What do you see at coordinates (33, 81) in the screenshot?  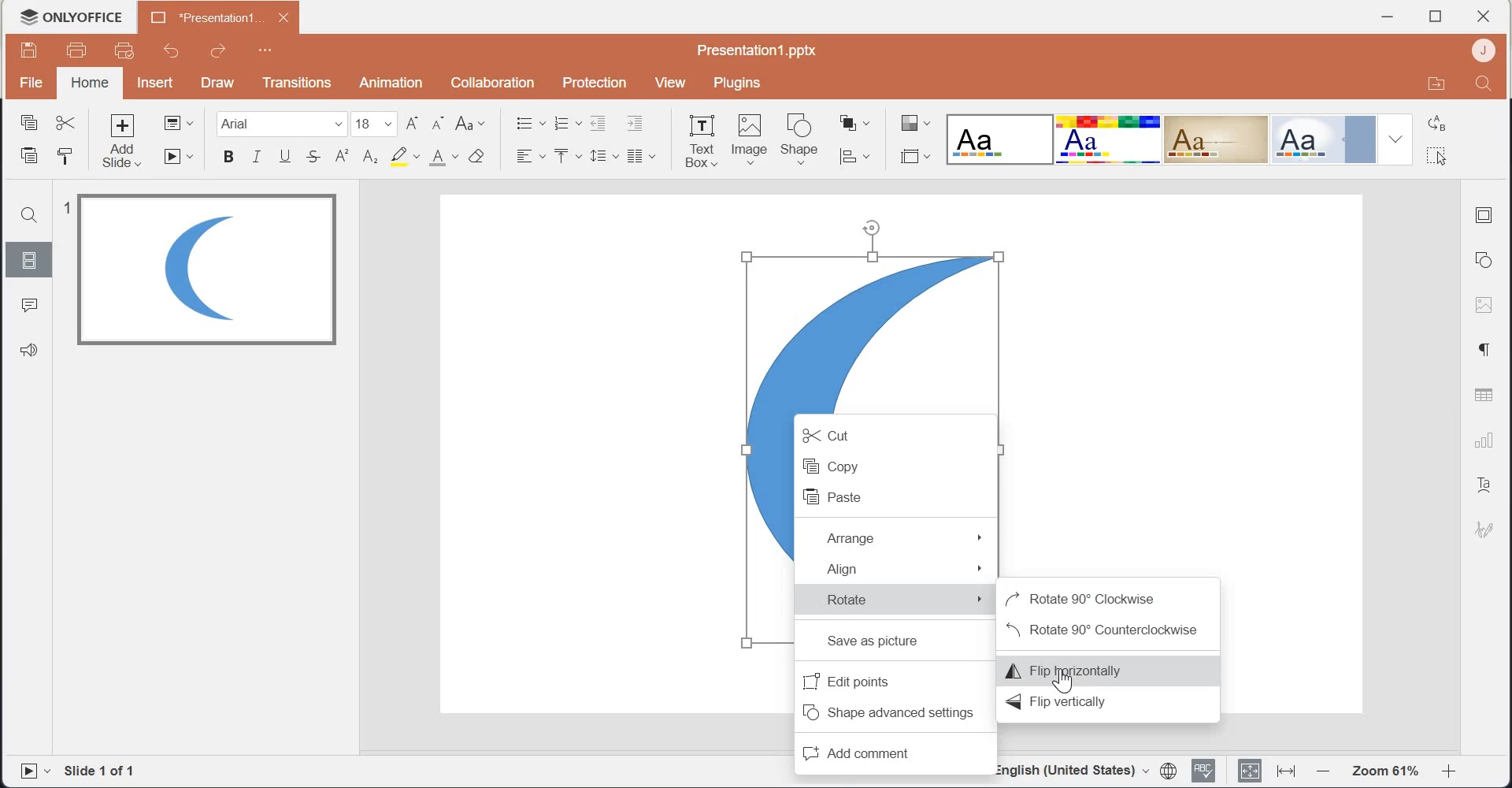 I see `File` at bounding box center [33, 81].